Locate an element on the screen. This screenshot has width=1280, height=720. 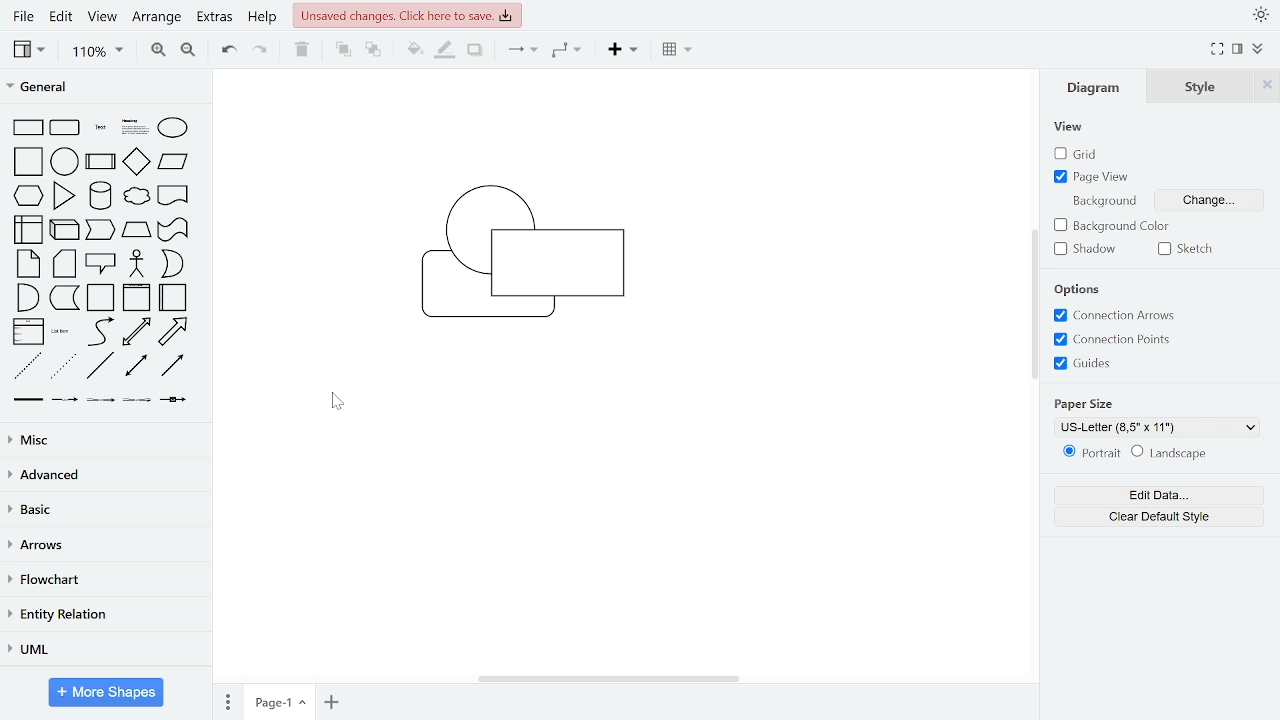
delete is located at coordinates (302, 53).